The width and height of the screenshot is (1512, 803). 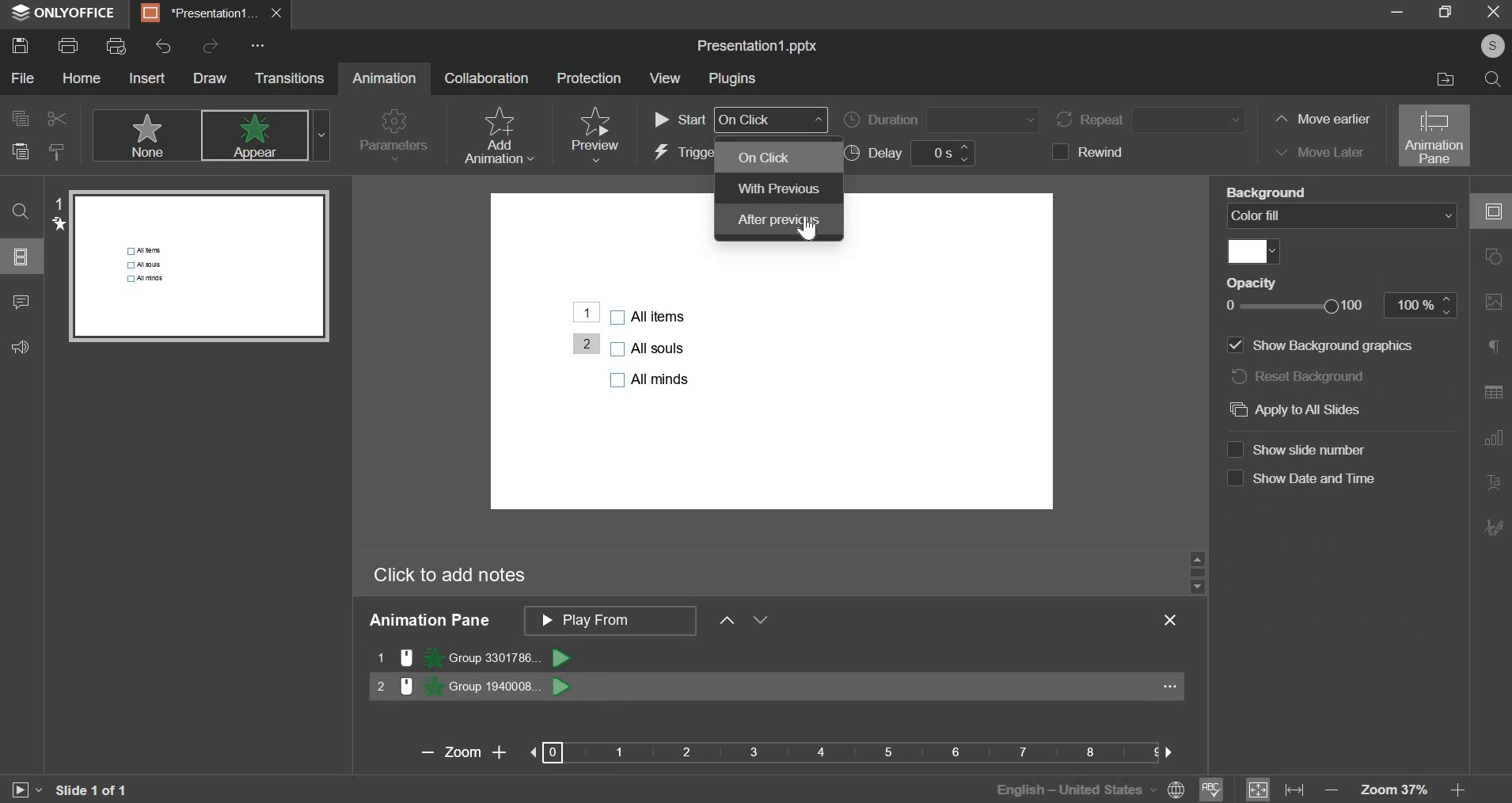 What do you see at coordinates (780, 157) in the screenshot?
I see `on click` at bounding box center [780, 157].